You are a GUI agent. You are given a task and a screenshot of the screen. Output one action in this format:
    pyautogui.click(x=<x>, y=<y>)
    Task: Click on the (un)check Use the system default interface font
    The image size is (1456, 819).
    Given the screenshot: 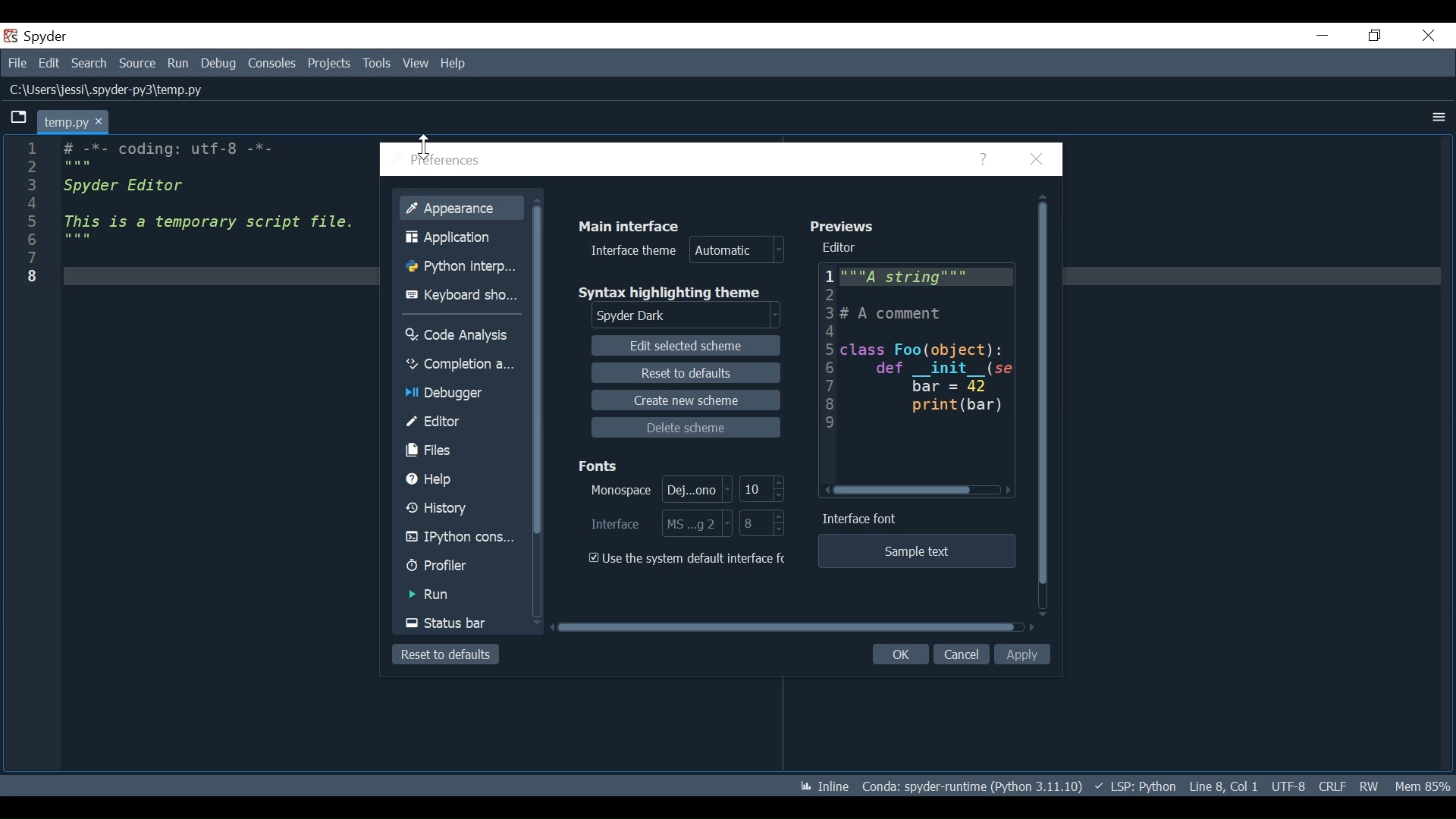 What is the action you would take?
    pyautogui.click(x=689, y=559)
    